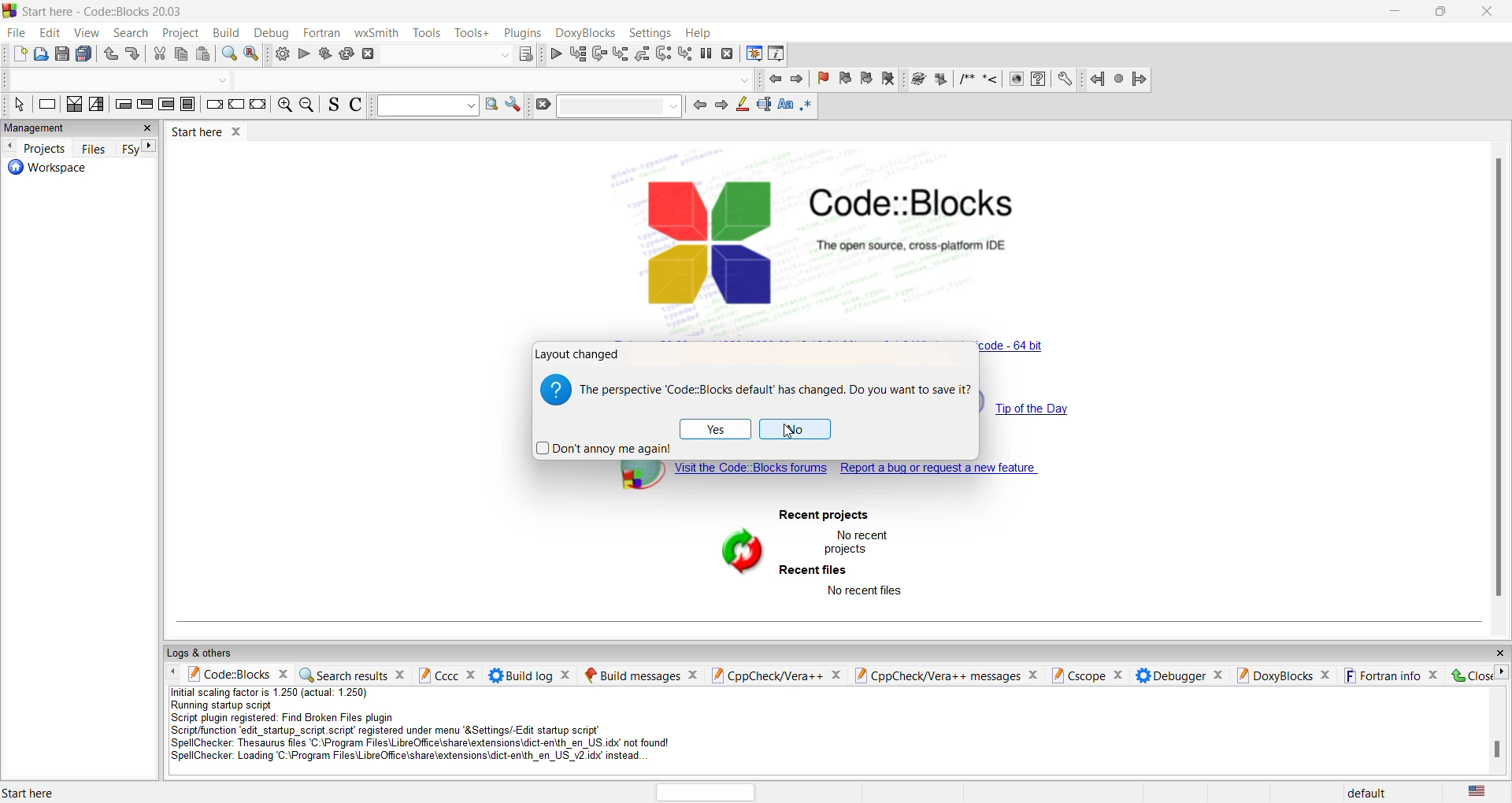  What do you see at coordinates (943, 80) in the screenshot?
I see `icon` at bounding box center [943, 80].